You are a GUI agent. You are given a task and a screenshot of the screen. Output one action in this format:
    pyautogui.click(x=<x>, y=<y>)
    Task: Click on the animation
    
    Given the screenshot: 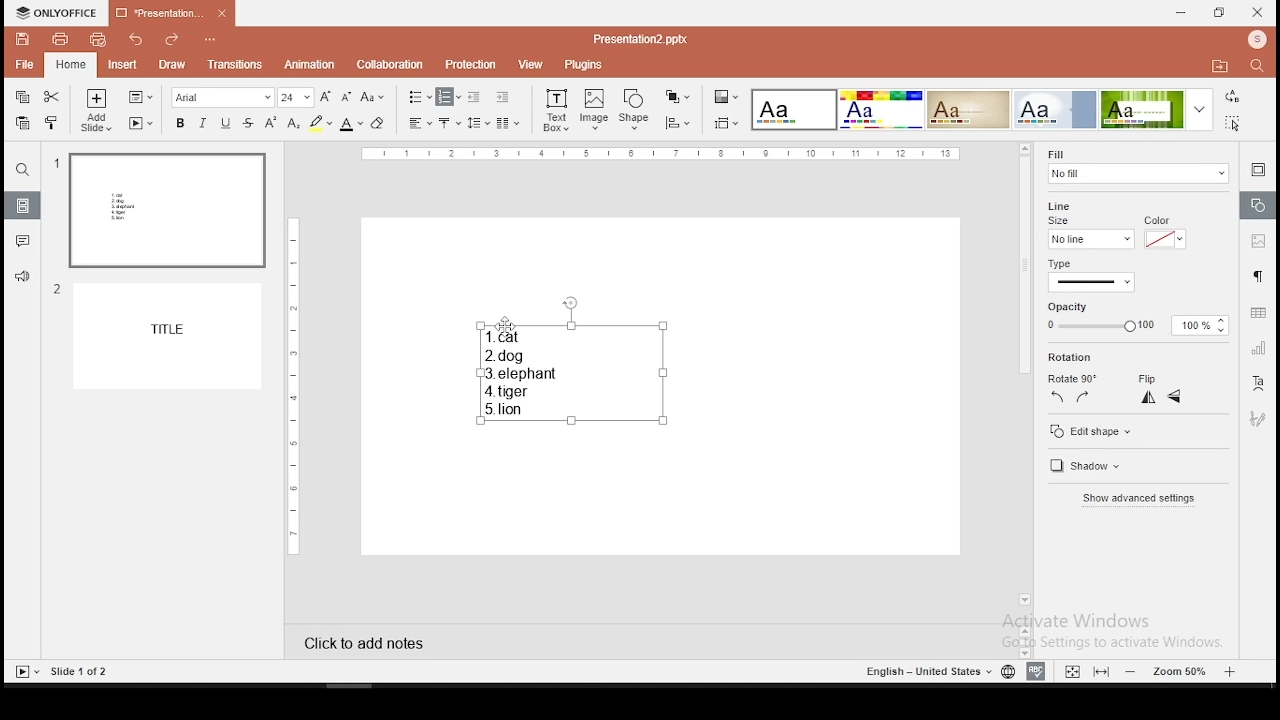 What is the action you would take?
    pyautogui.click(x=311, y=65)
    